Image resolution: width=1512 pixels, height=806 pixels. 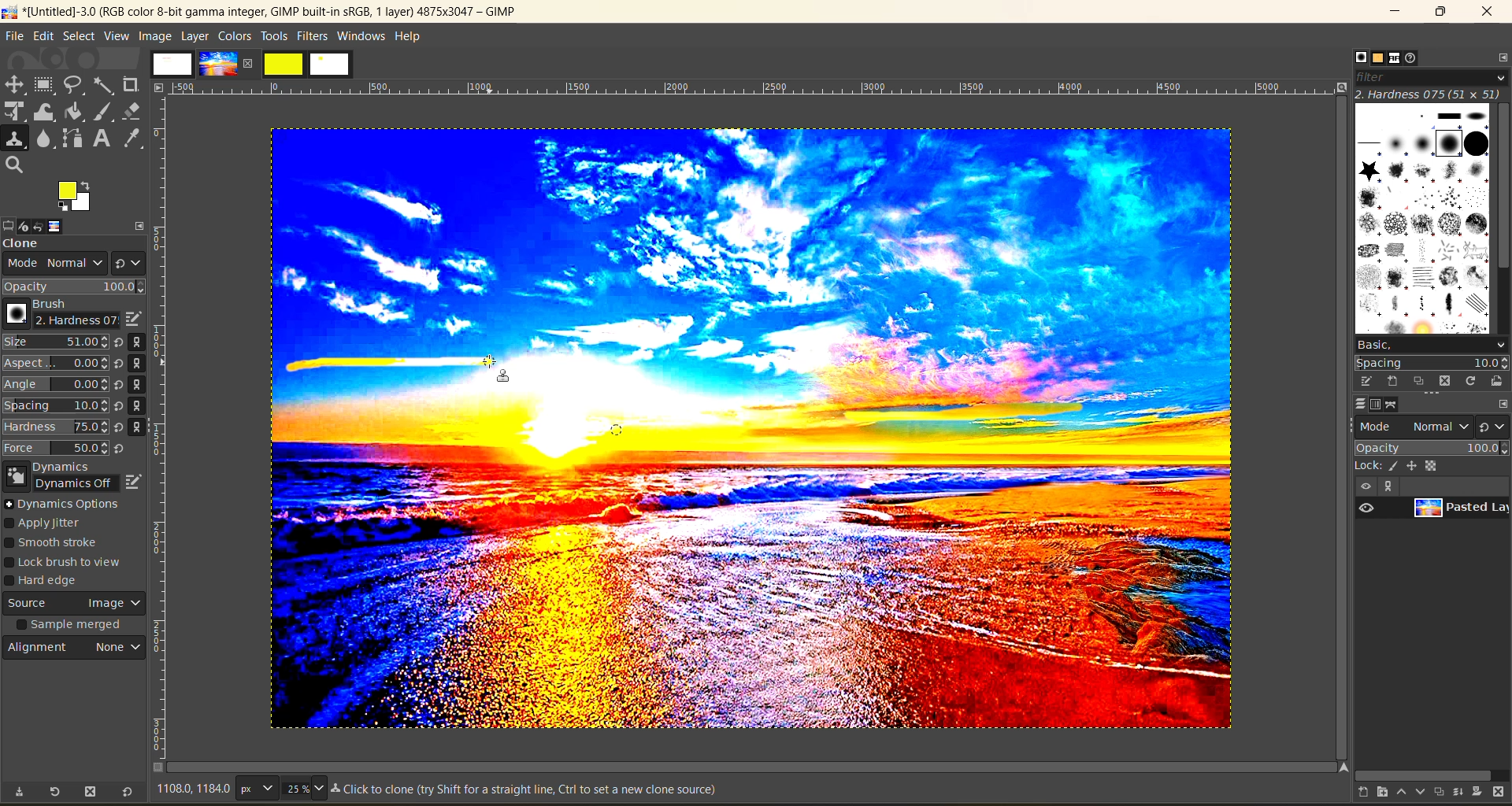 What do you see at coordinates (55, 425) in the screenshot?
I see `[Hardness 75.0` at bounding box center [55, 425].